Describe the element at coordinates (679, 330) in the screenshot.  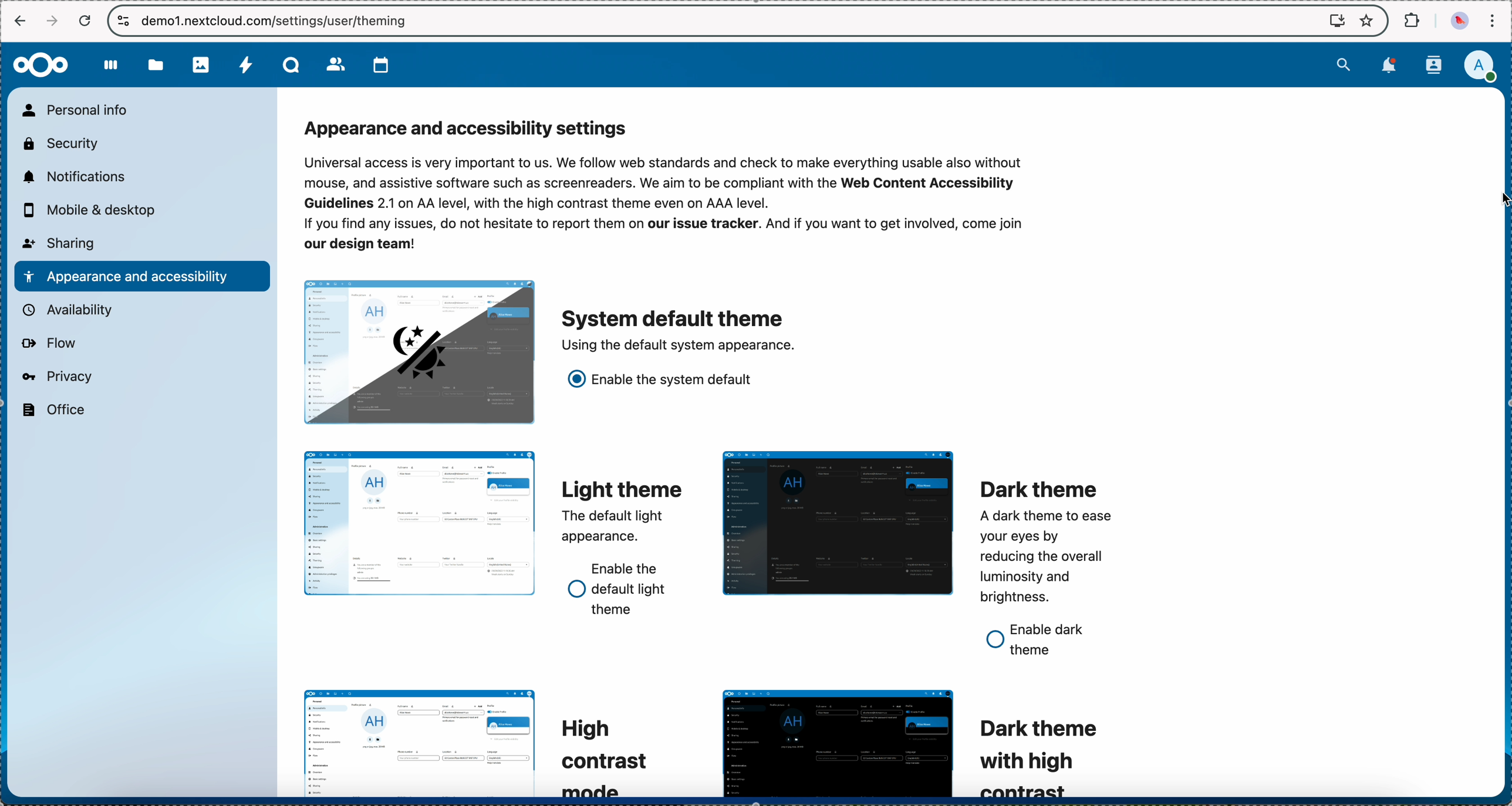
I see `system default theme` at that location.